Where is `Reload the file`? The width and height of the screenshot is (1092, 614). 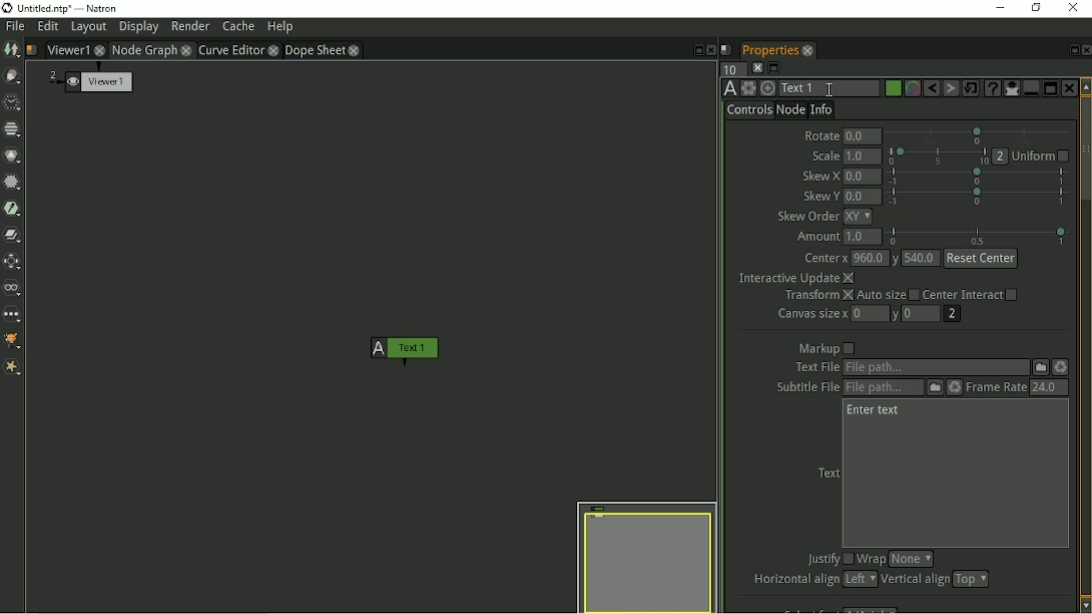 Reload the file is located at coordinates (953, 388).